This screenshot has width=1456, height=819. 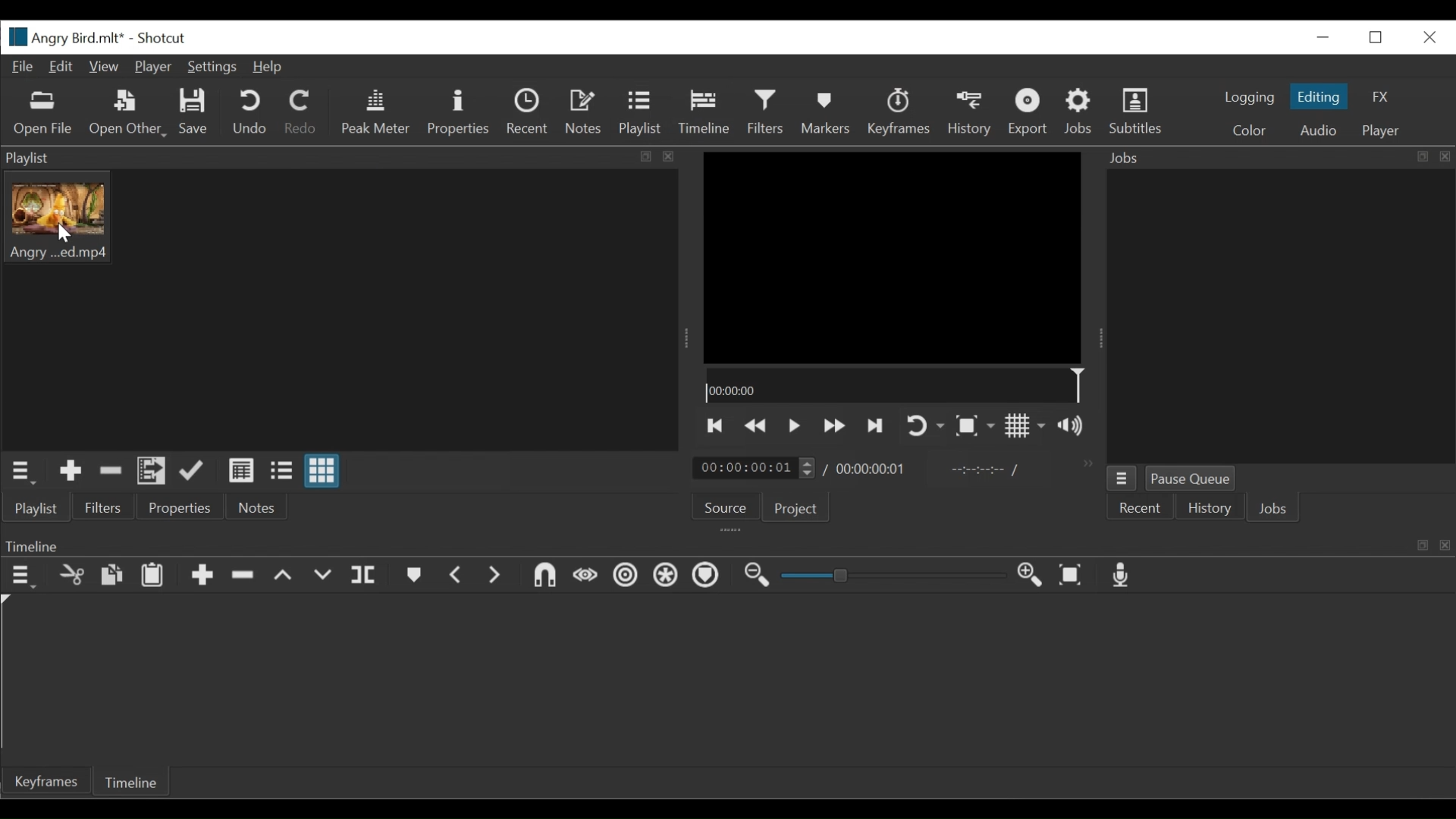 I want to click on Show volume control, so click(x=1071, y=426).